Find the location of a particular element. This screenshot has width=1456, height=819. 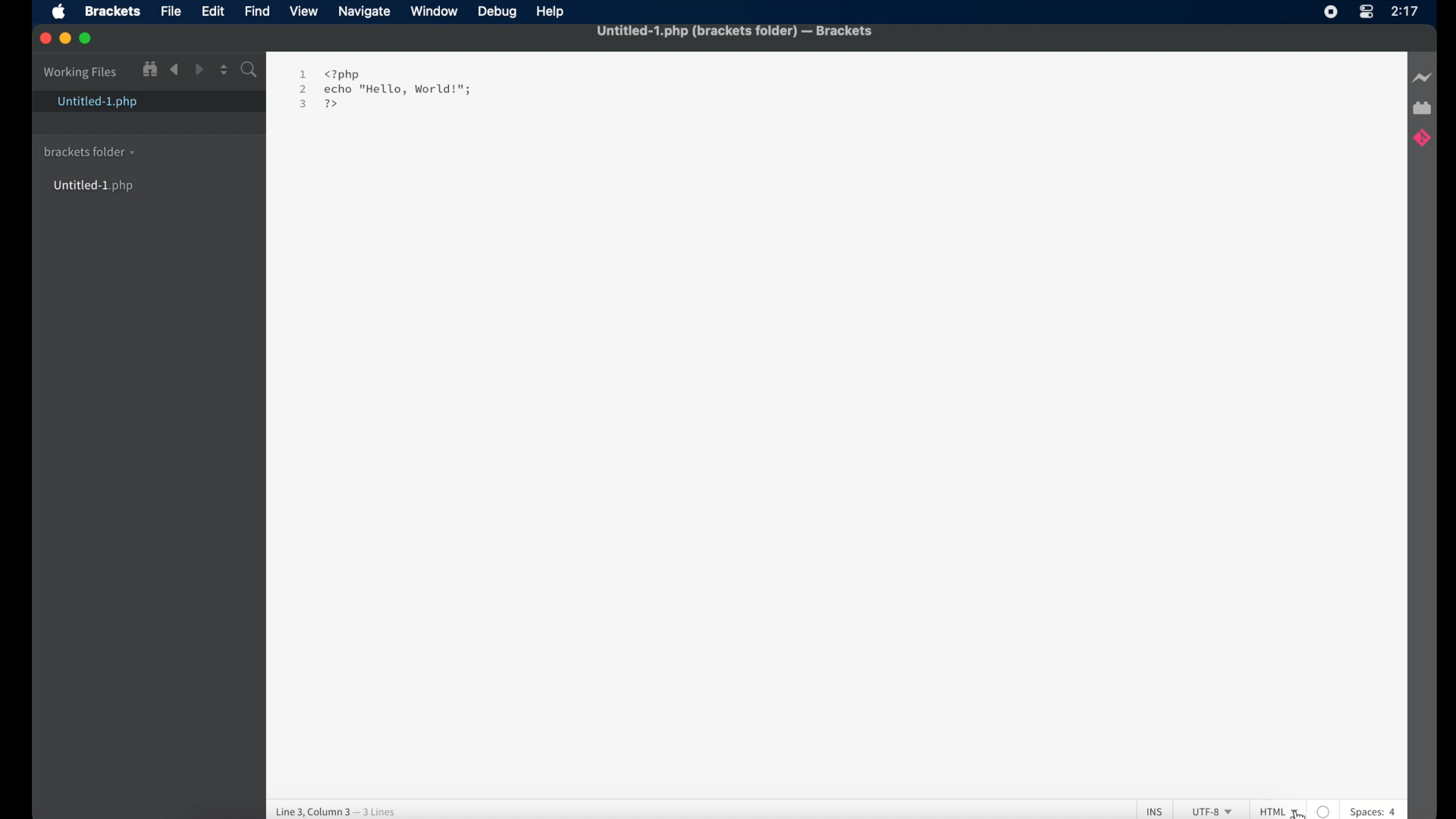

show file in tree is located at coordinates (150, 69).